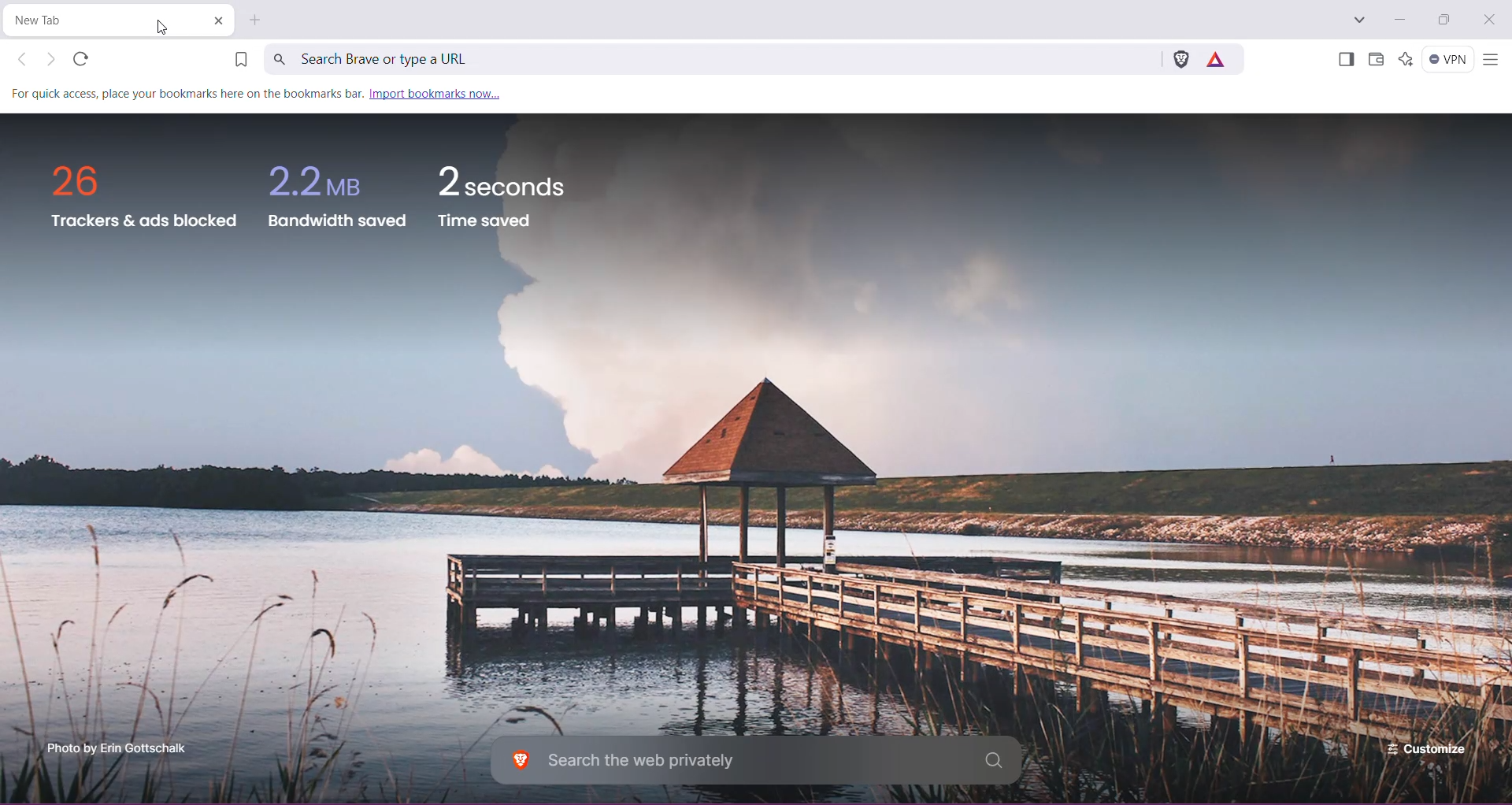 The image size is (1512, 805). What do you see at coordinates (754, 760) in the screenshot?
I see `Search the web privately` at bounding box center [754, 760].